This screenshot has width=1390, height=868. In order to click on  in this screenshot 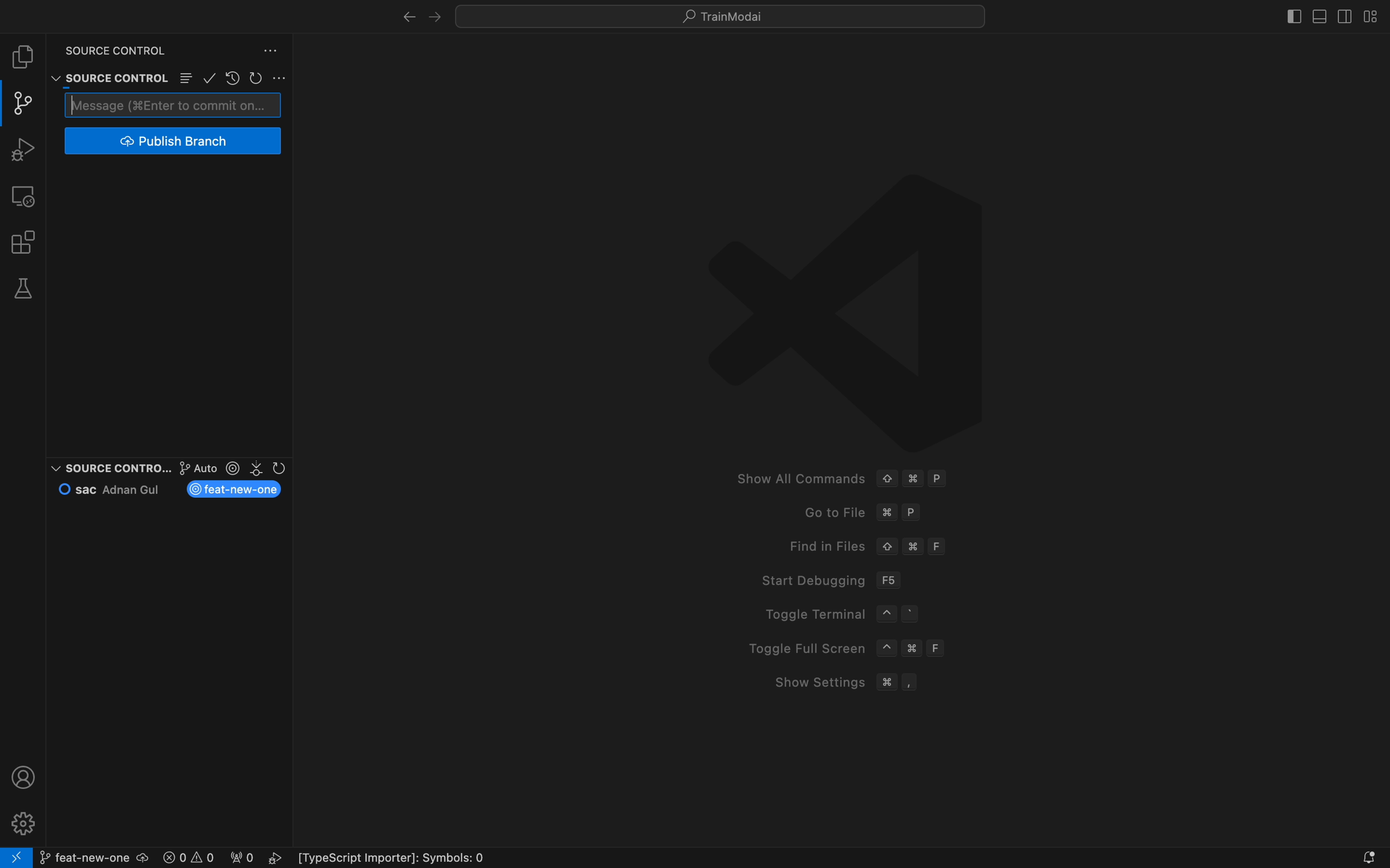, I will do `click(283, 78)`.